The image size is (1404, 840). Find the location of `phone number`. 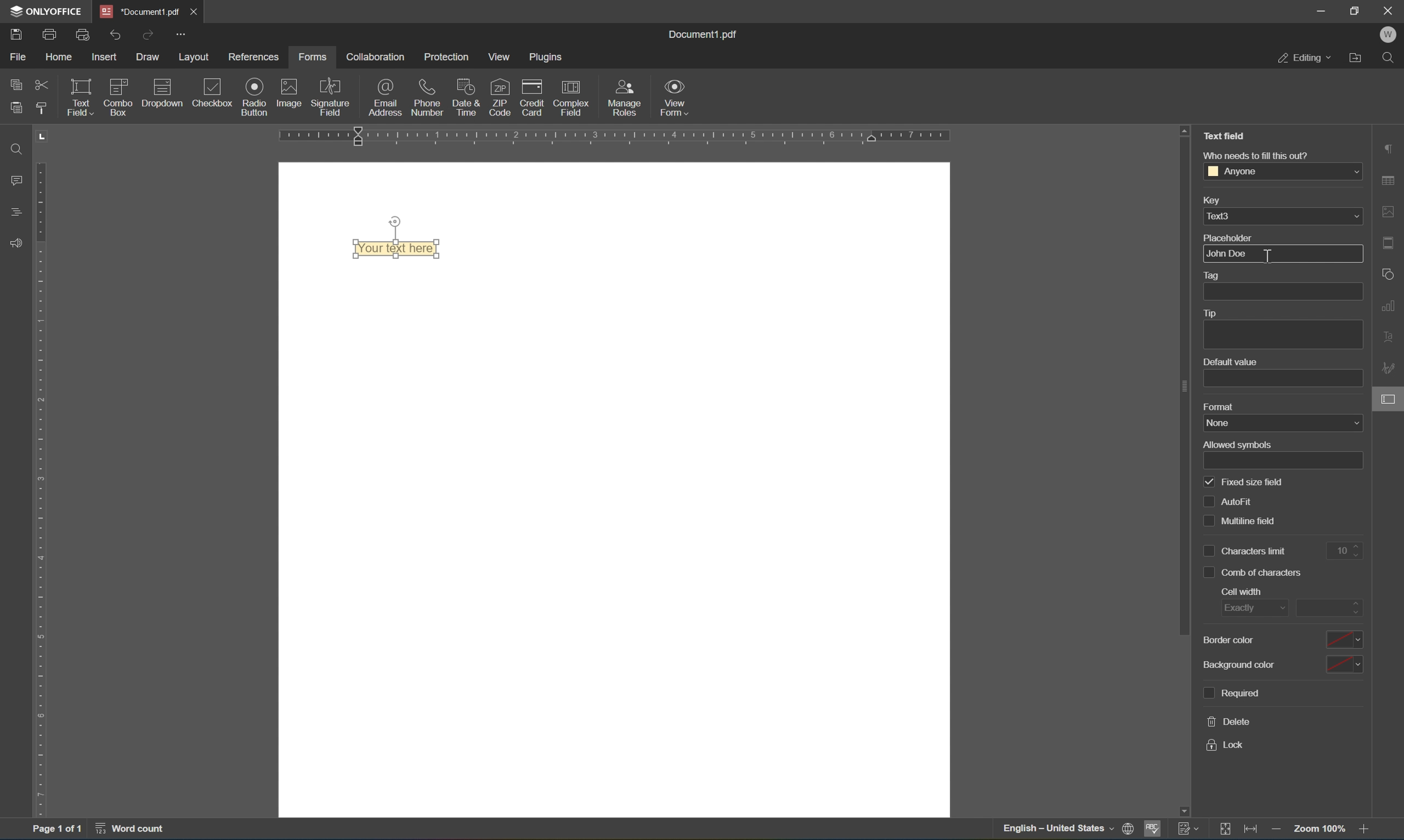

phone number is located at coordinates (427, 97).